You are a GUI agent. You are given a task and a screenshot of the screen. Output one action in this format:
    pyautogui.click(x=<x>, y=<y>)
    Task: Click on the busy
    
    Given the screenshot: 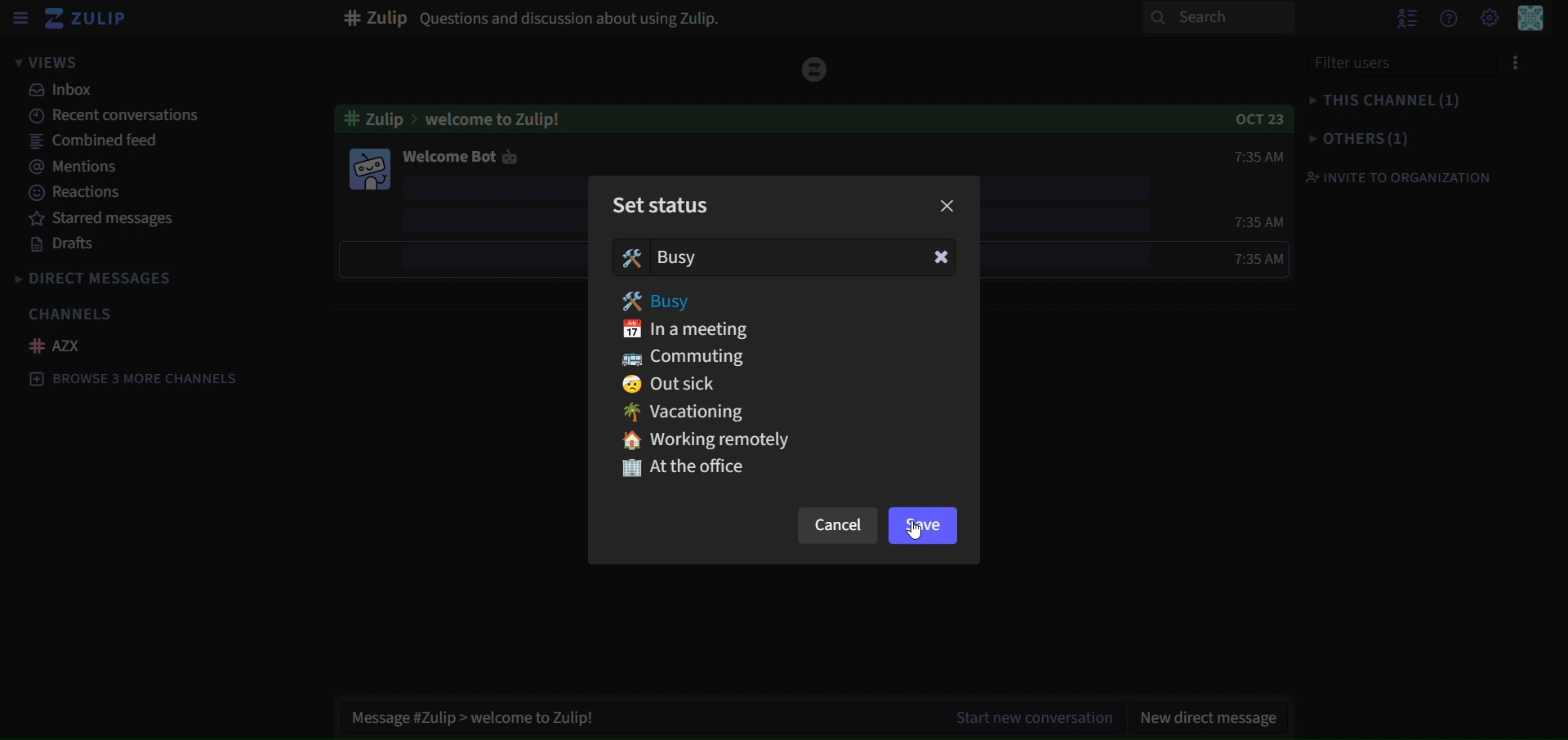 What is the action you would take?
    pyautogui.click(x=661, y=301)
    